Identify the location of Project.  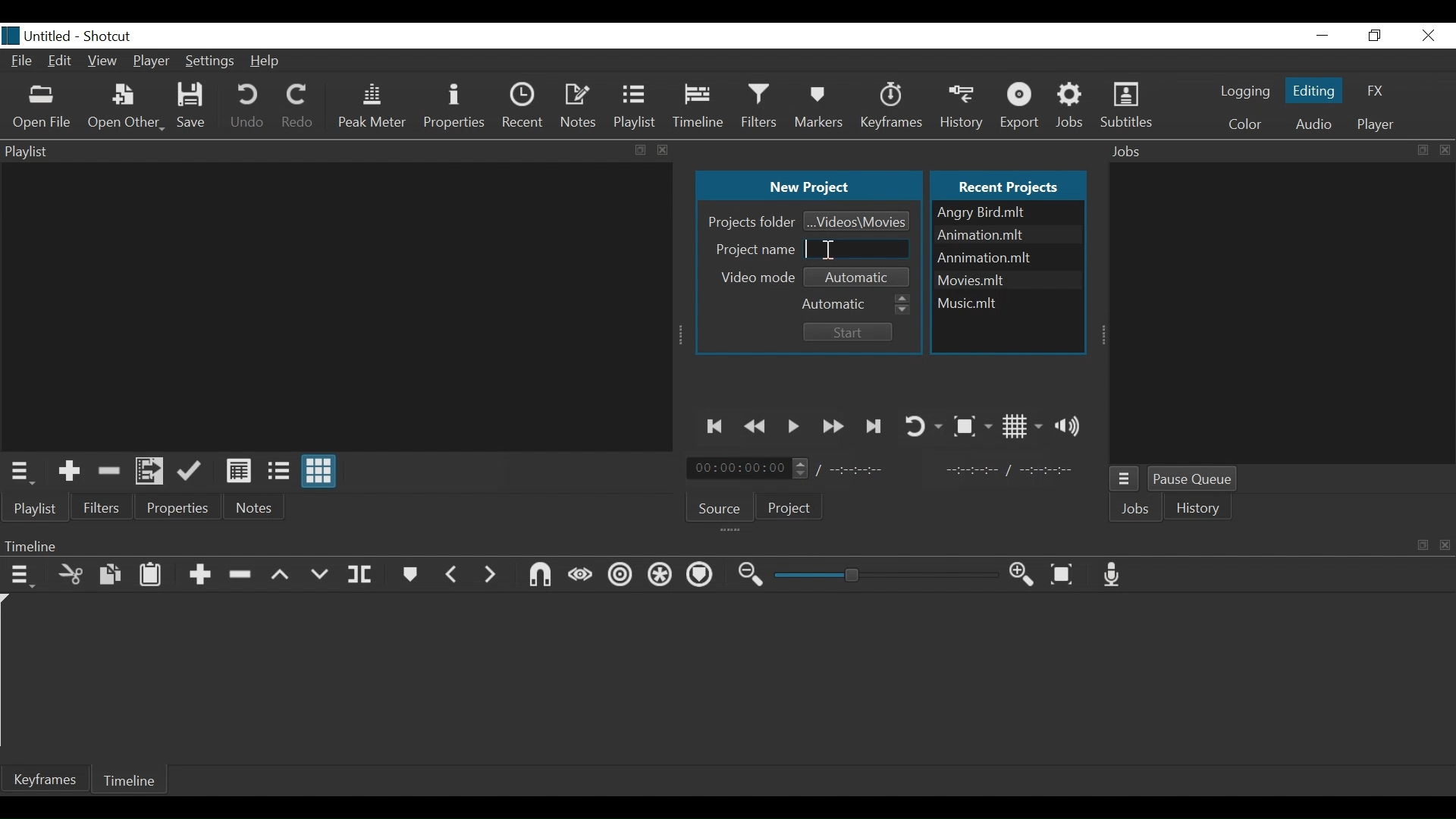
(790, 510).